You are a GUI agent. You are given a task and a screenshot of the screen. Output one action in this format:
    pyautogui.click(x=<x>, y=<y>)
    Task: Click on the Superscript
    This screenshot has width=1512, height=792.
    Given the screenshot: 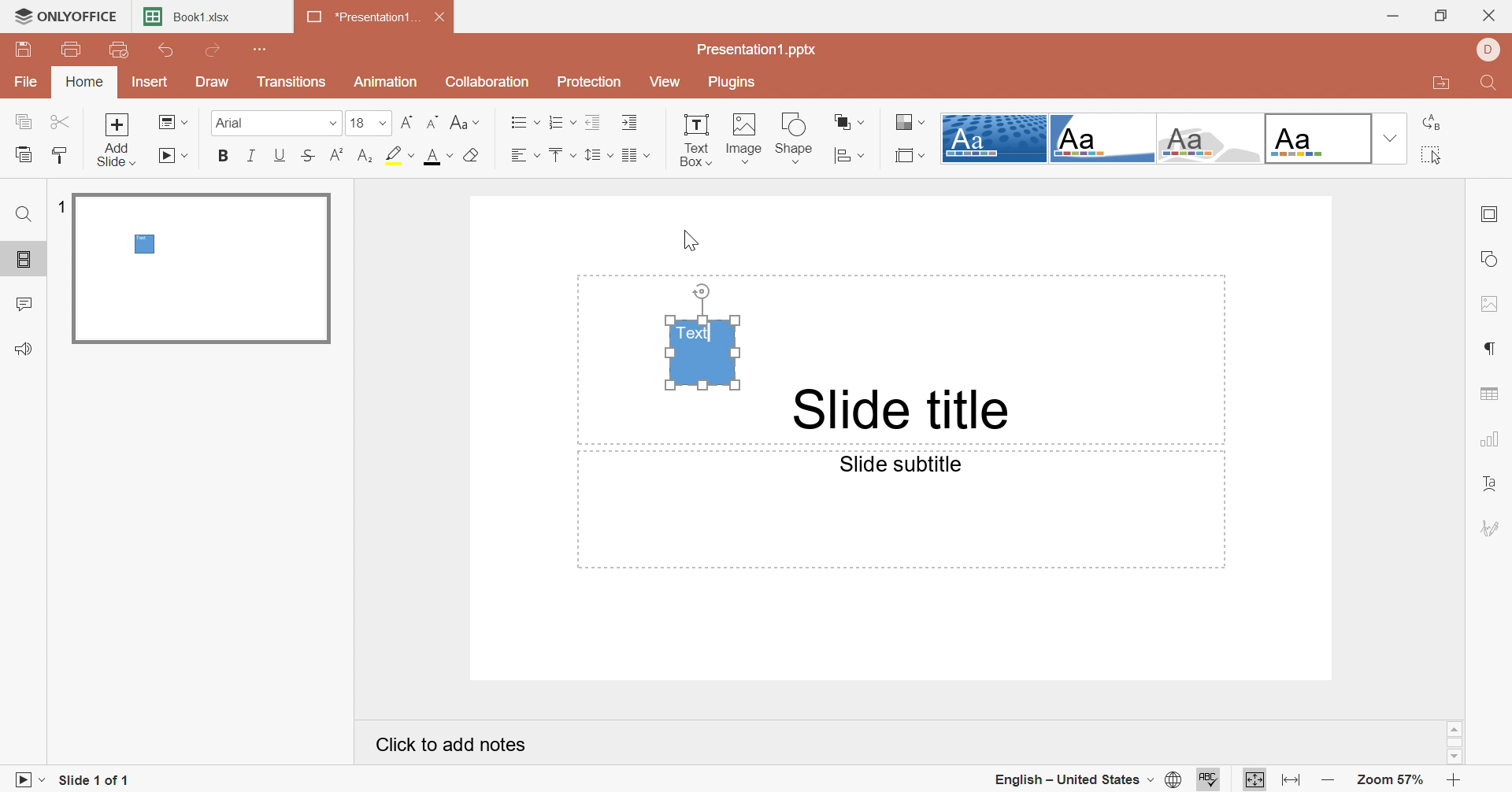 What is the action you would take?
    pyautogui.click(x=336, y=156)
    